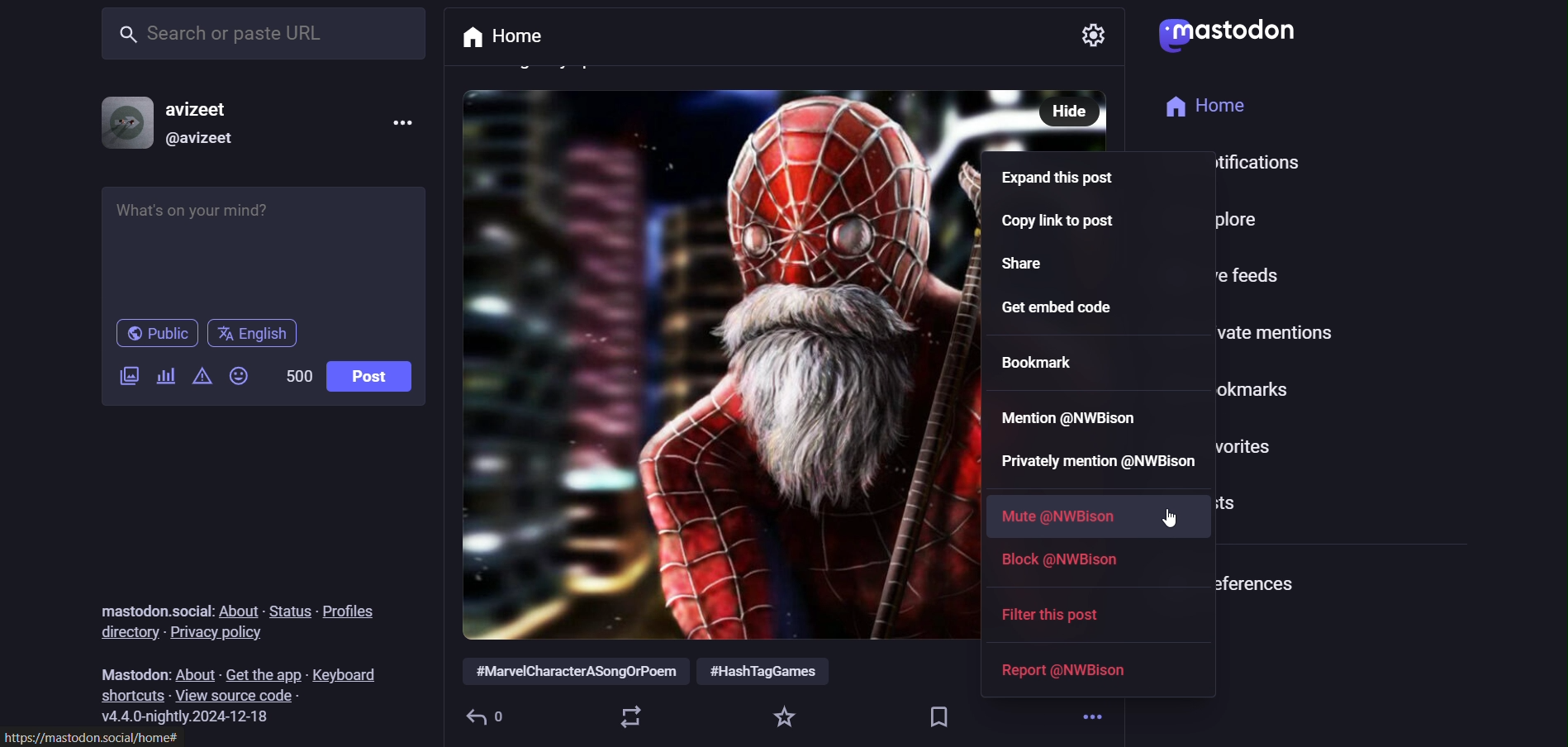 The image size is (1568, 747). Describe the element at coordinates (1067, 182) in the screenshot. I see `expand this post` at that location.